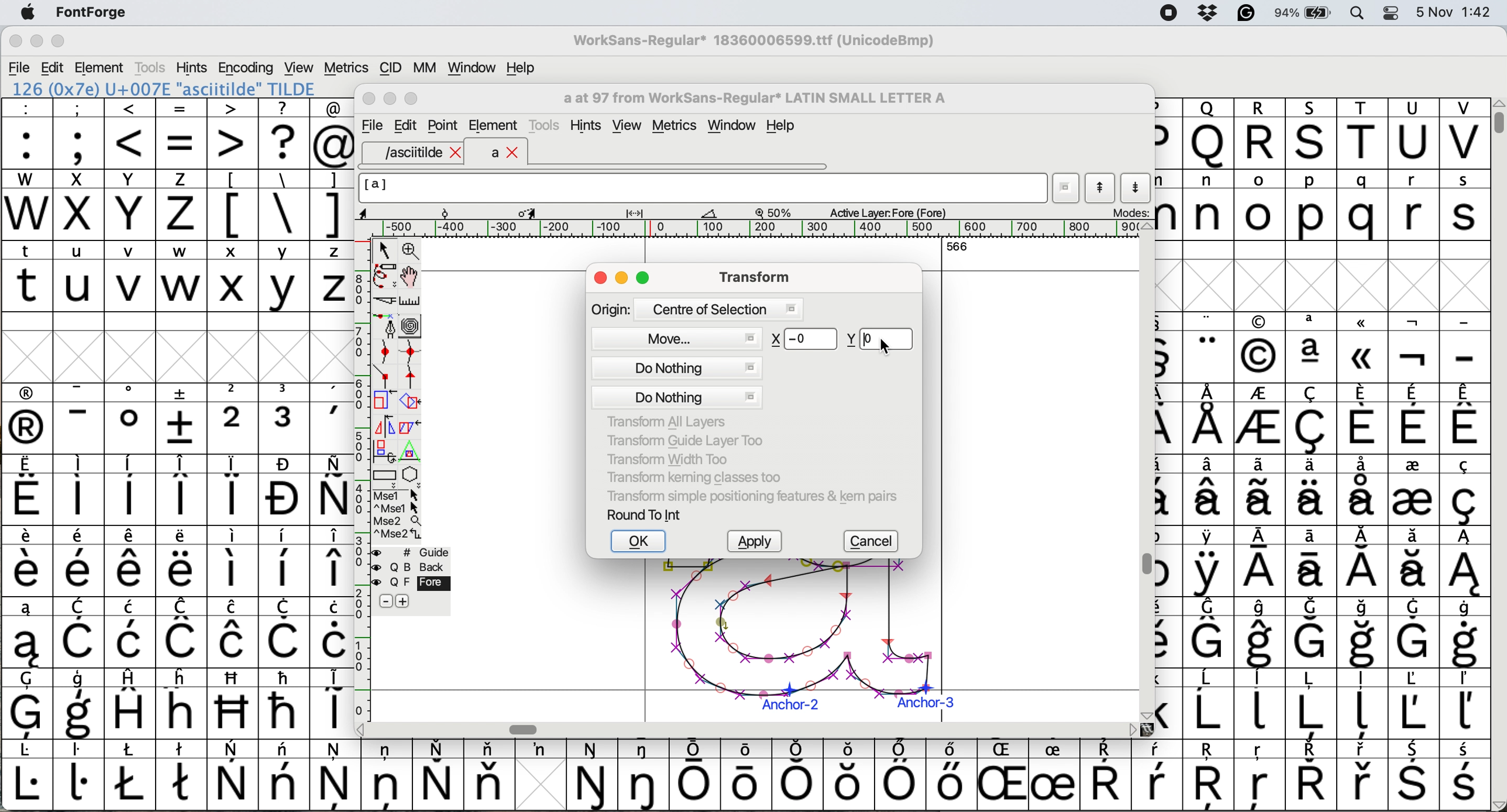  Describe the element at coordinates (386, 352) in the screenshot. I see `add a curve point` at that location.